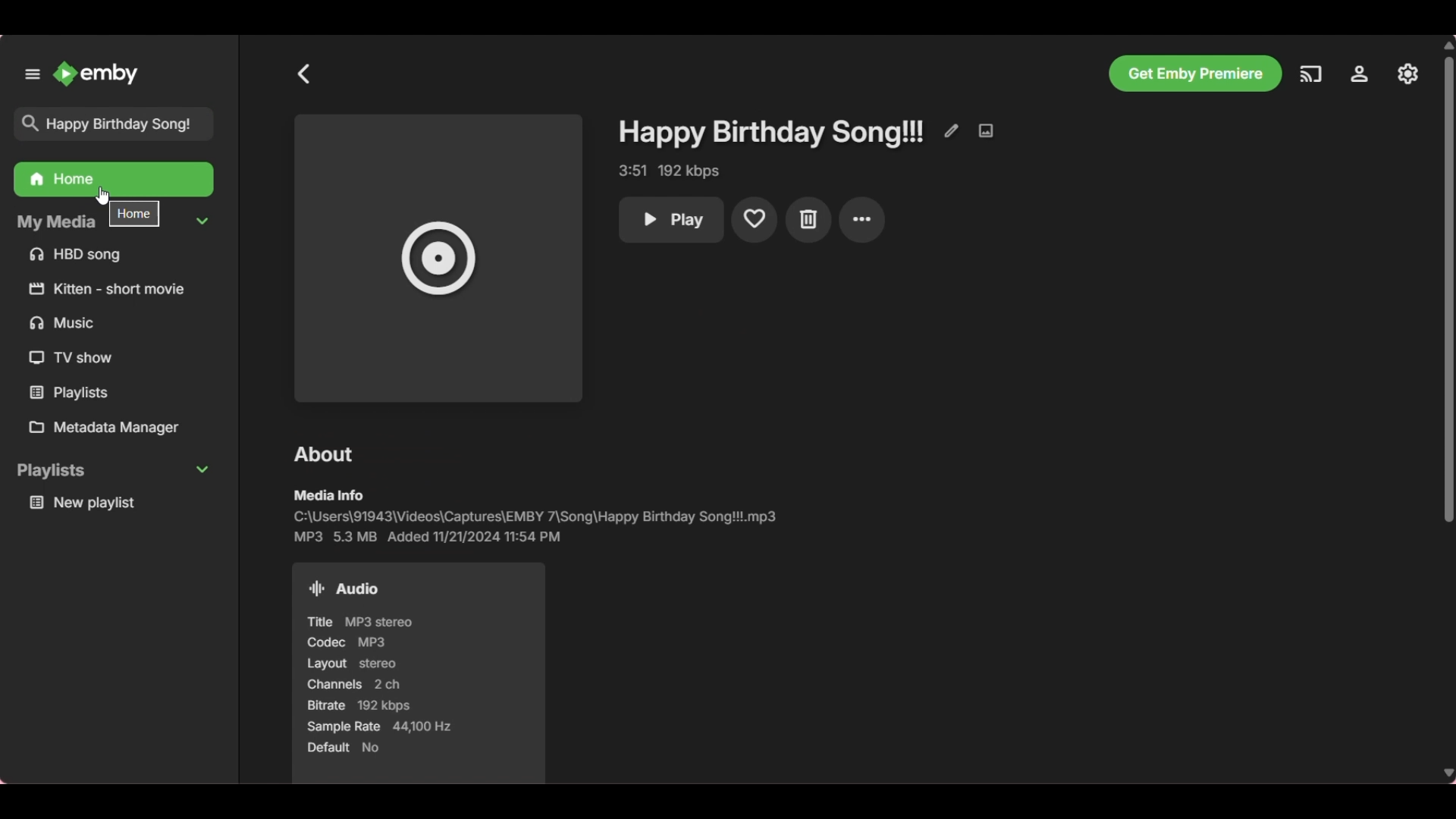  Describe the element at coordinates (349, 588) in the screenshot. I see `Audio ` at that location.